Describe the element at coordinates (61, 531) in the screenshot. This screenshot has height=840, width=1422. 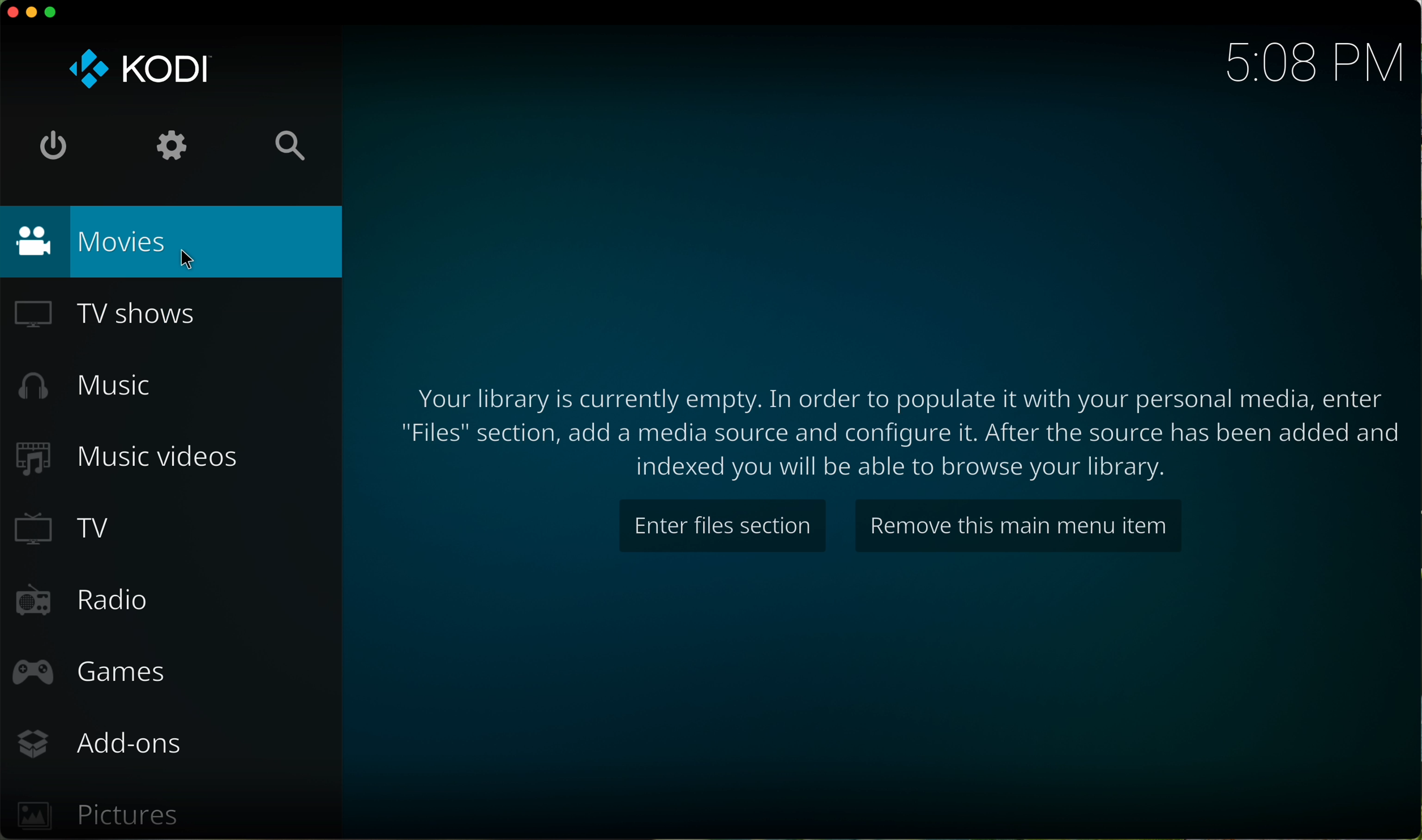
I see `TV` at that location.